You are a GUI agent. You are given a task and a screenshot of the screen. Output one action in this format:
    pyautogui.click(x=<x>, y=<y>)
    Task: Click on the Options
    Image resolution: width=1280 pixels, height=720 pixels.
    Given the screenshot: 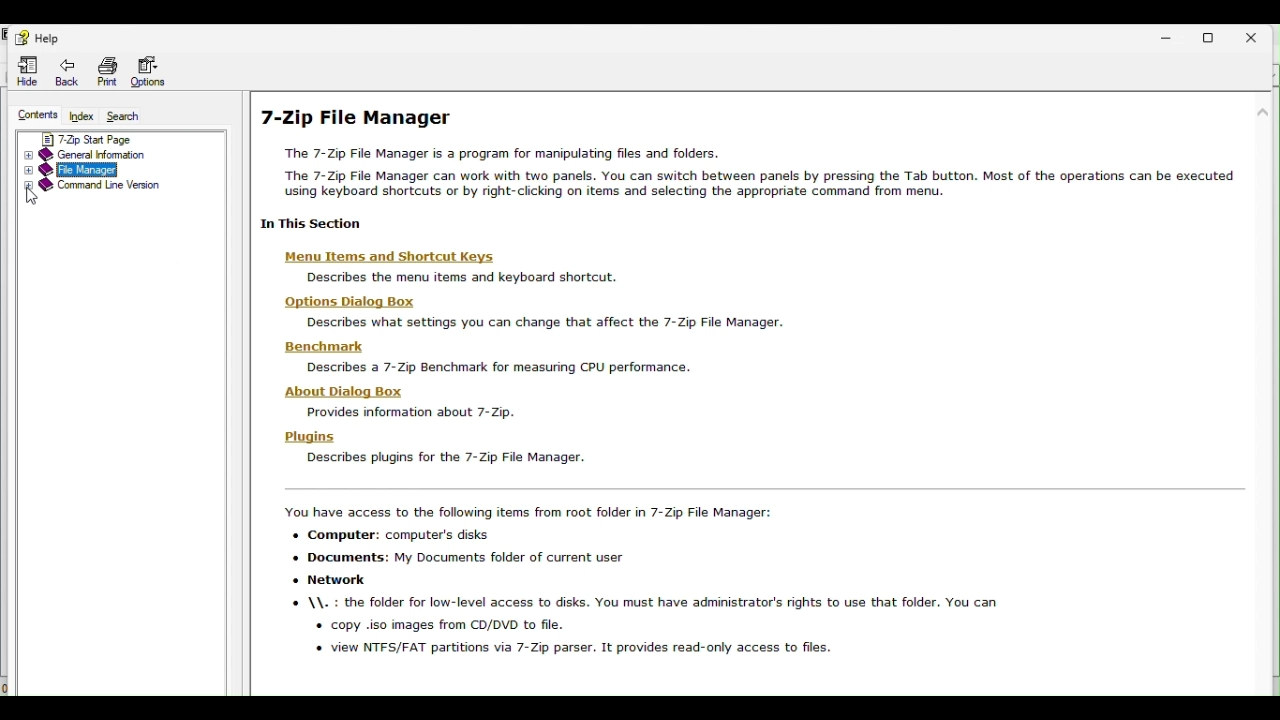 What is the action you would take?
    pyautogui.click(x=152, y=70)
    